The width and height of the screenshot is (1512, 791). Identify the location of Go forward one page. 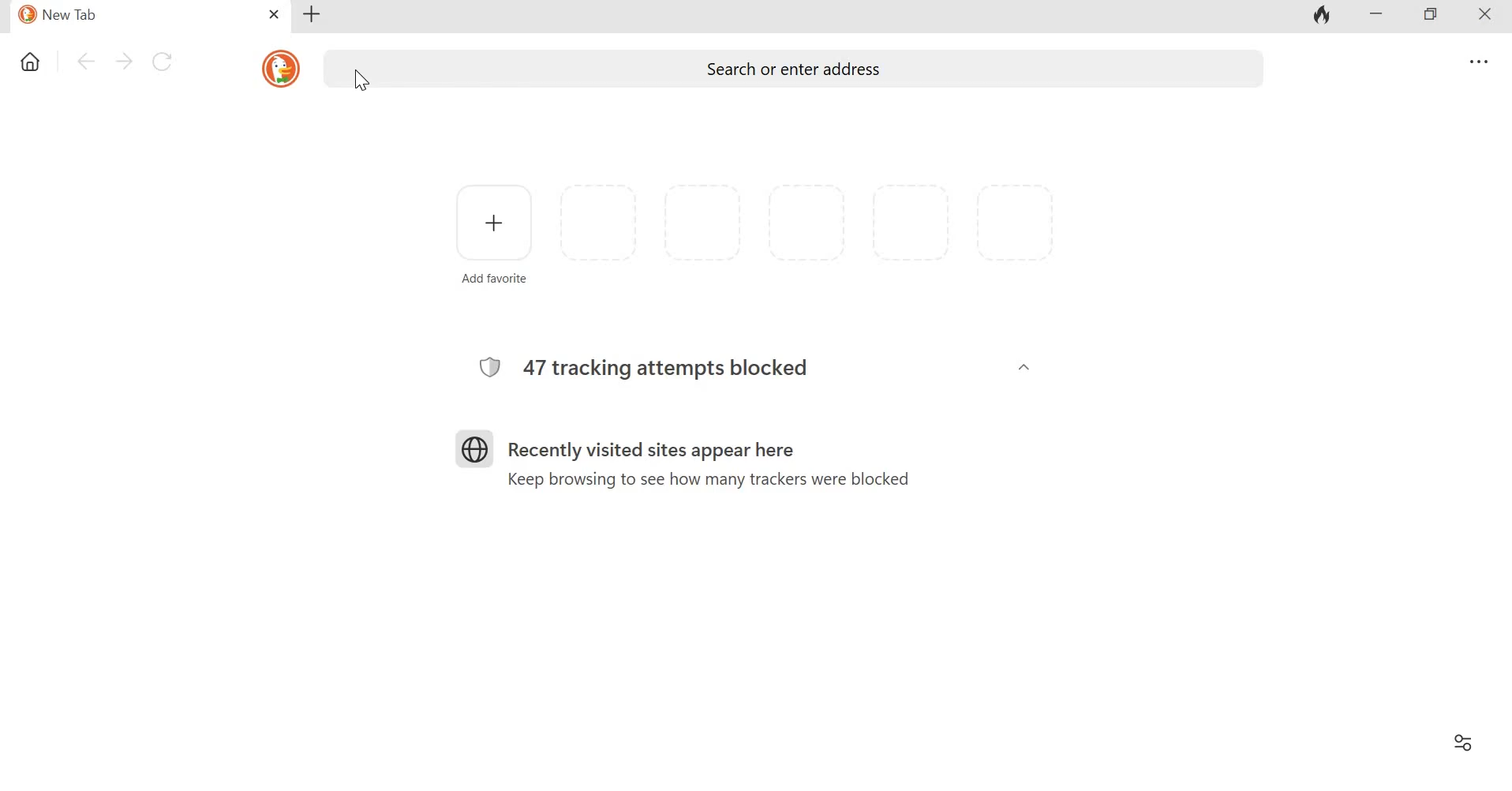
(122, 63).